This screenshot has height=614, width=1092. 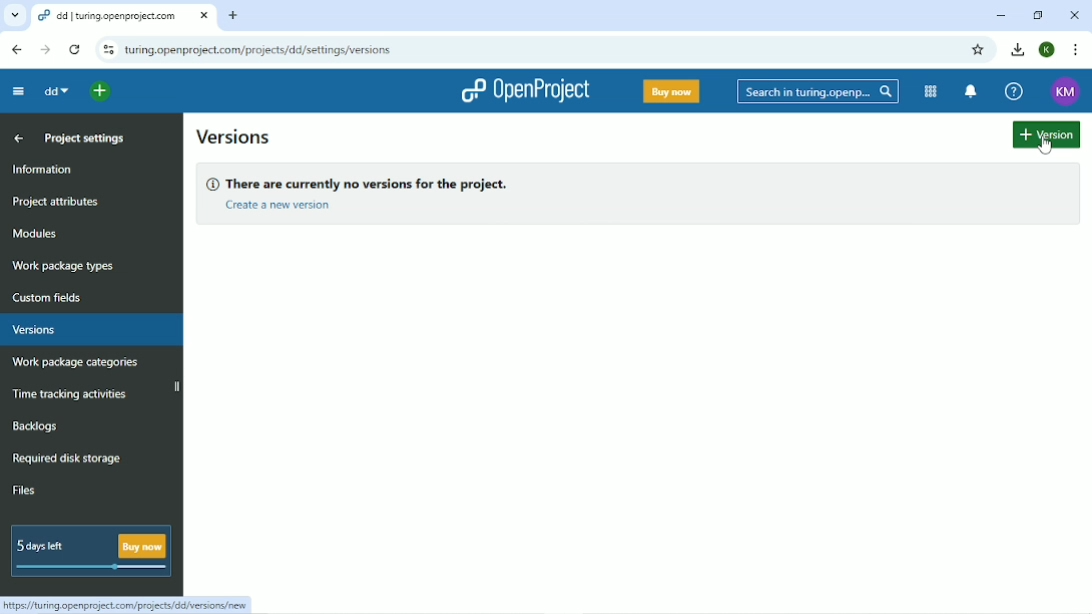 I want to click on Restore down, so click(x=1039, y=15).